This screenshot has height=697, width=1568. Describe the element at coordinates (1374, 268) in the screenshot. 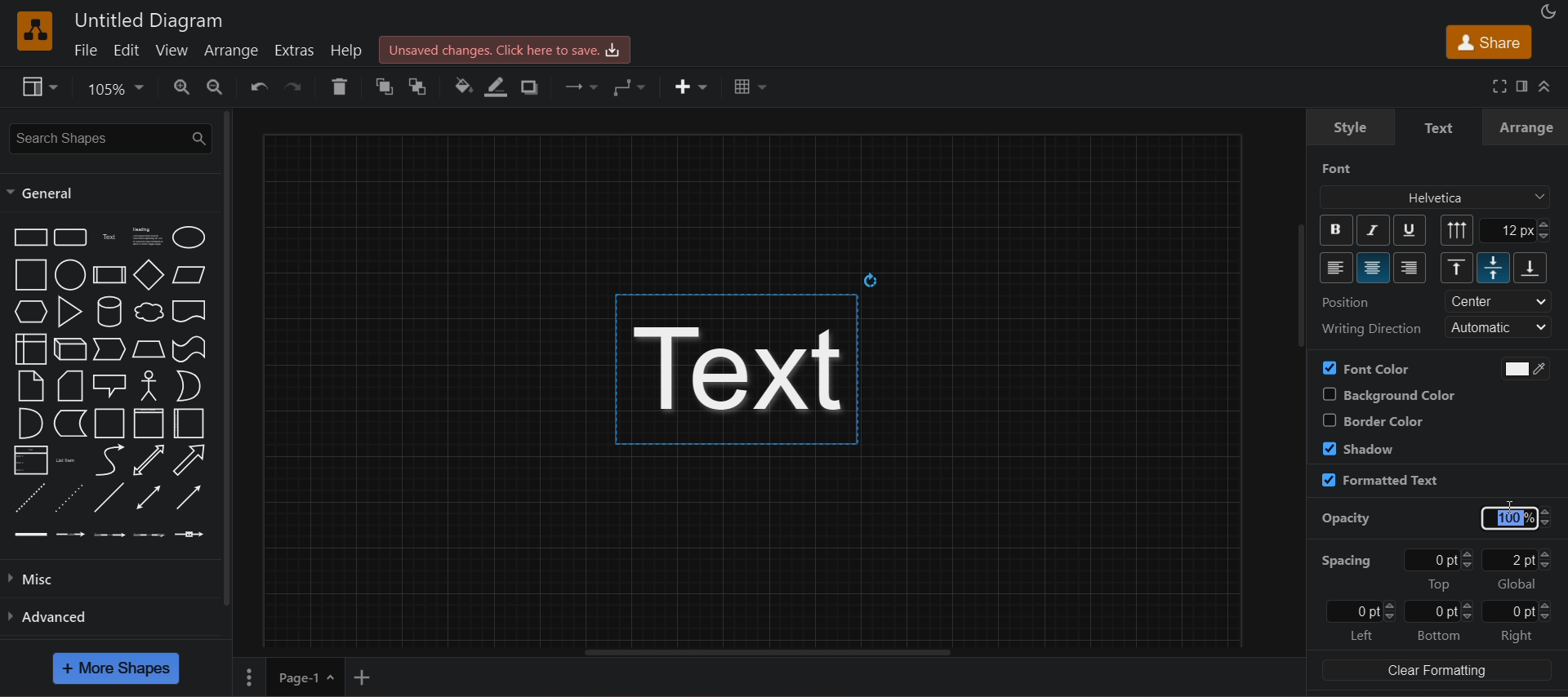

I see `center` at that location.